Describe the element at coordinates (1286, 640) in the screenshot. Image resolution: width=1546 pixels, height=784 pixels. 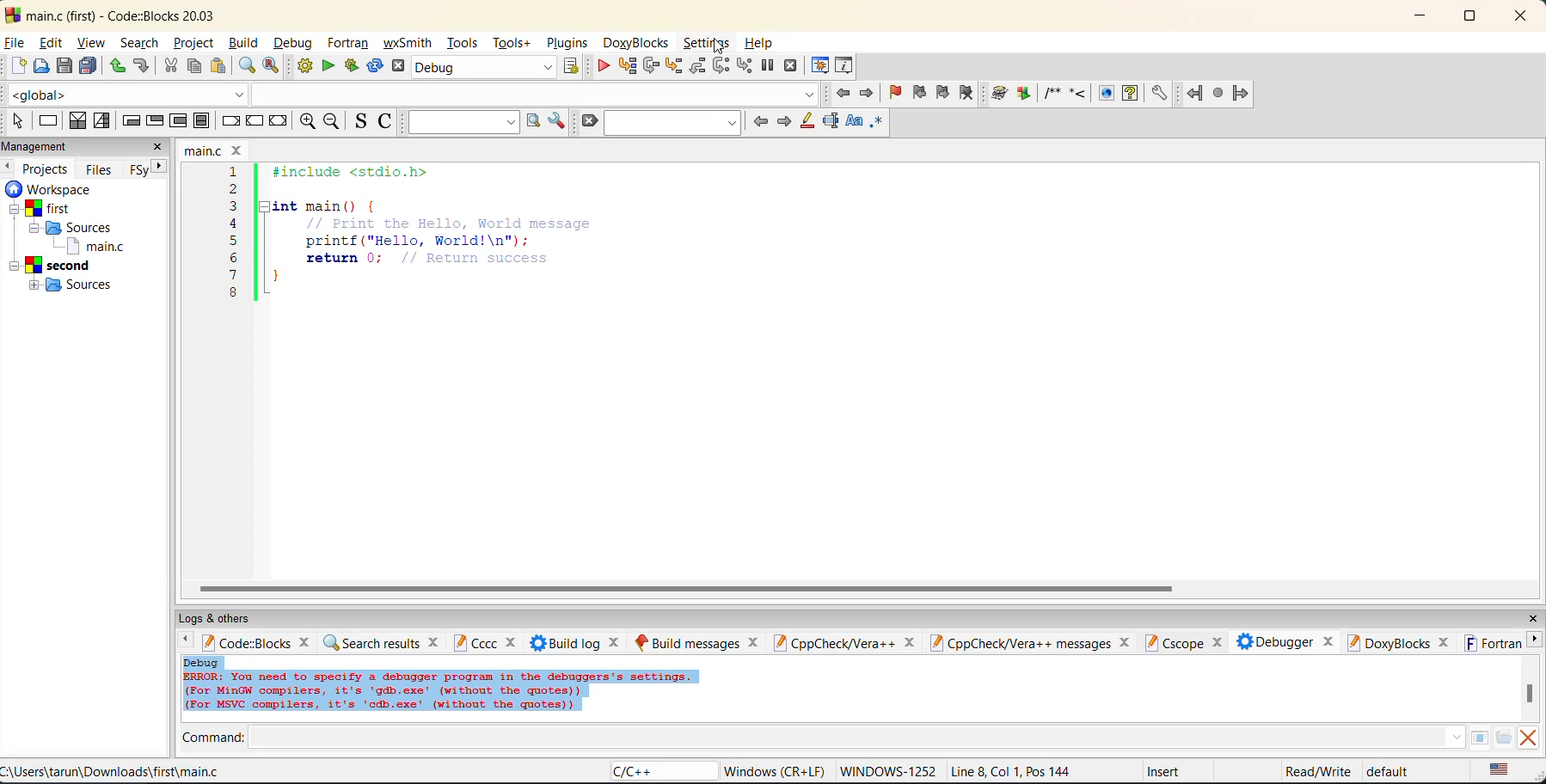
I see `debugger` at that location.